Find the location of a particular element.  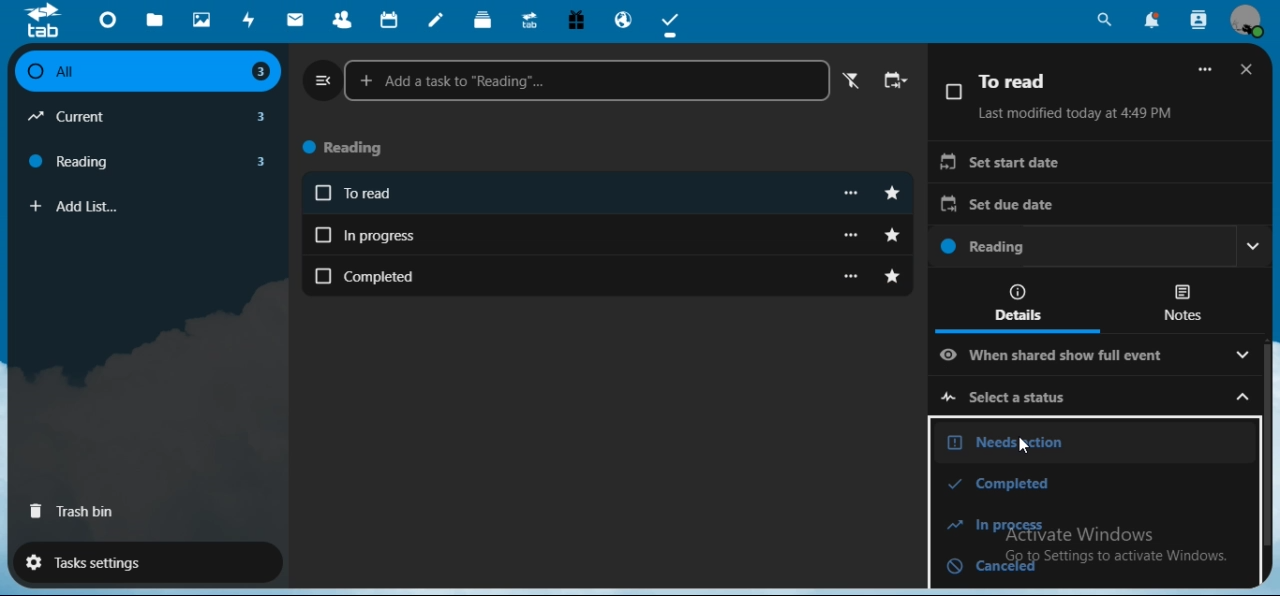

add a task to reading is located at coordinates (588, 81).